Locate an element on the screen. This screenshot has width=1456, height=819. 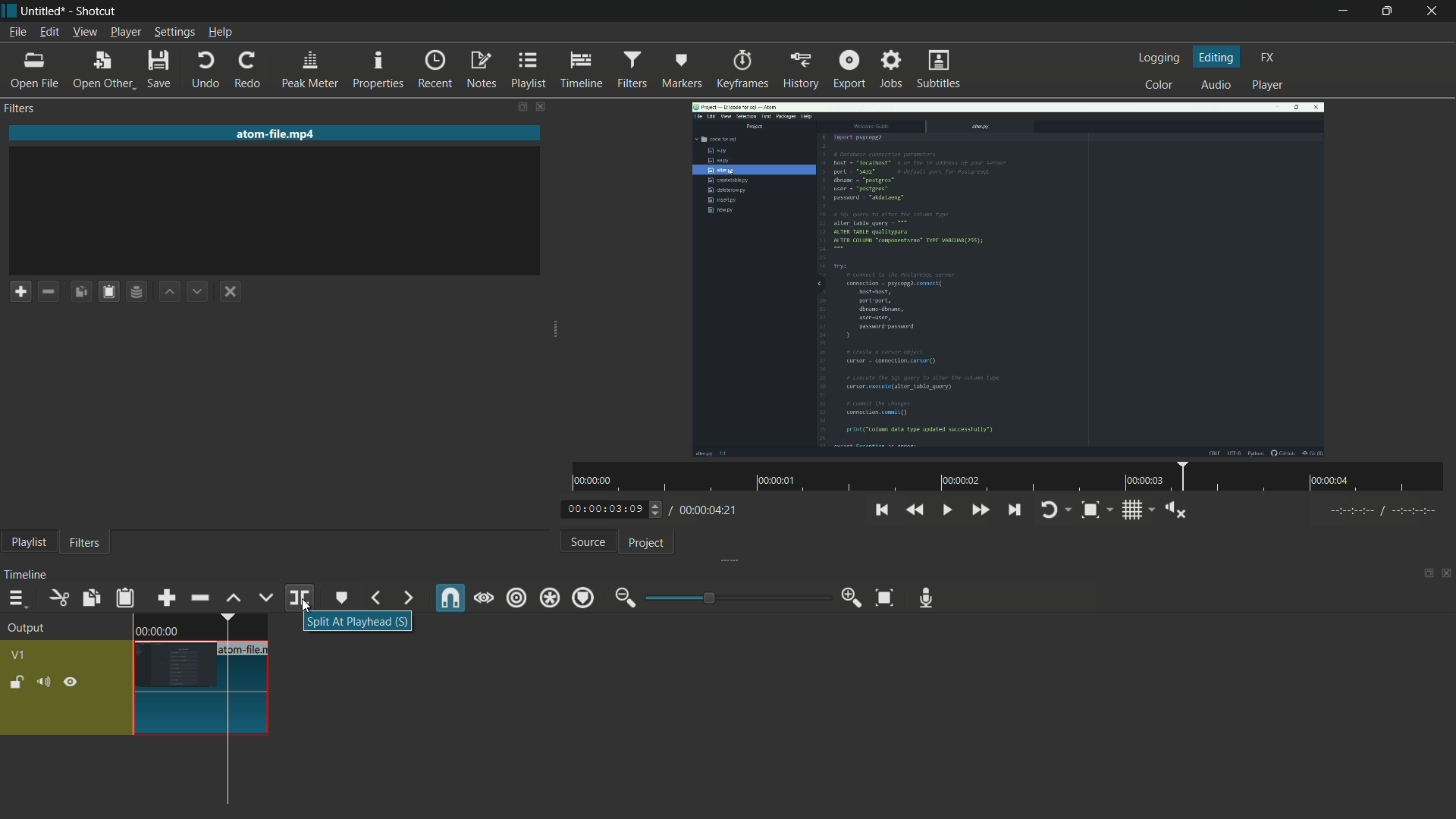
subtitles is located at coordinates (939, 69).